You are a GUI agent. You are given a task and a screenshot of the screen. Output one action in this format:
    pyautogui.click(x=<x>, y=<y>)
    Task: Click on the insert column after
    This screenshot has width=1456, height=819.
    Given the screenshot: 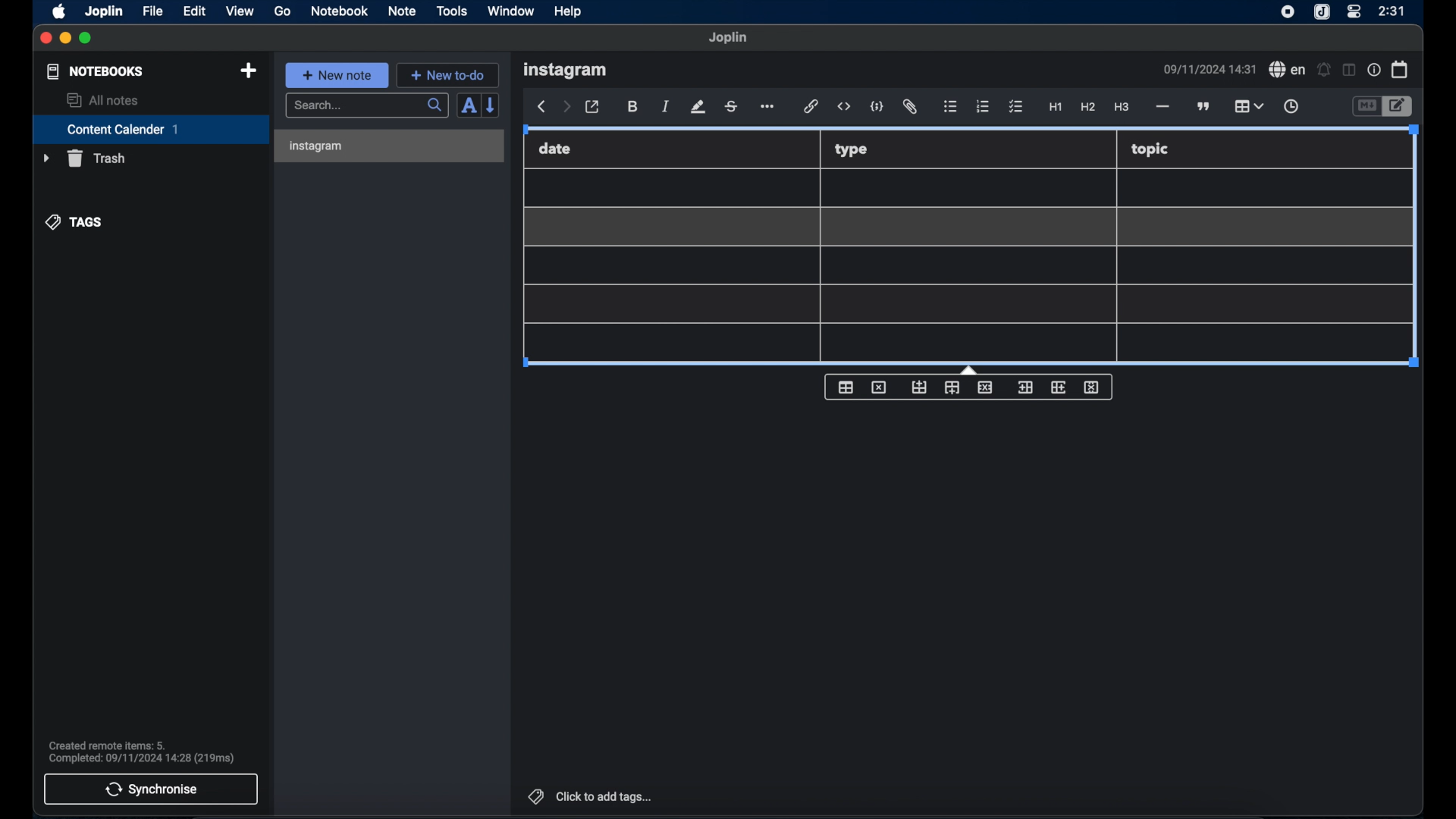 What is the action you would take?
    pyautogui.click(x=1058, y=388)
    